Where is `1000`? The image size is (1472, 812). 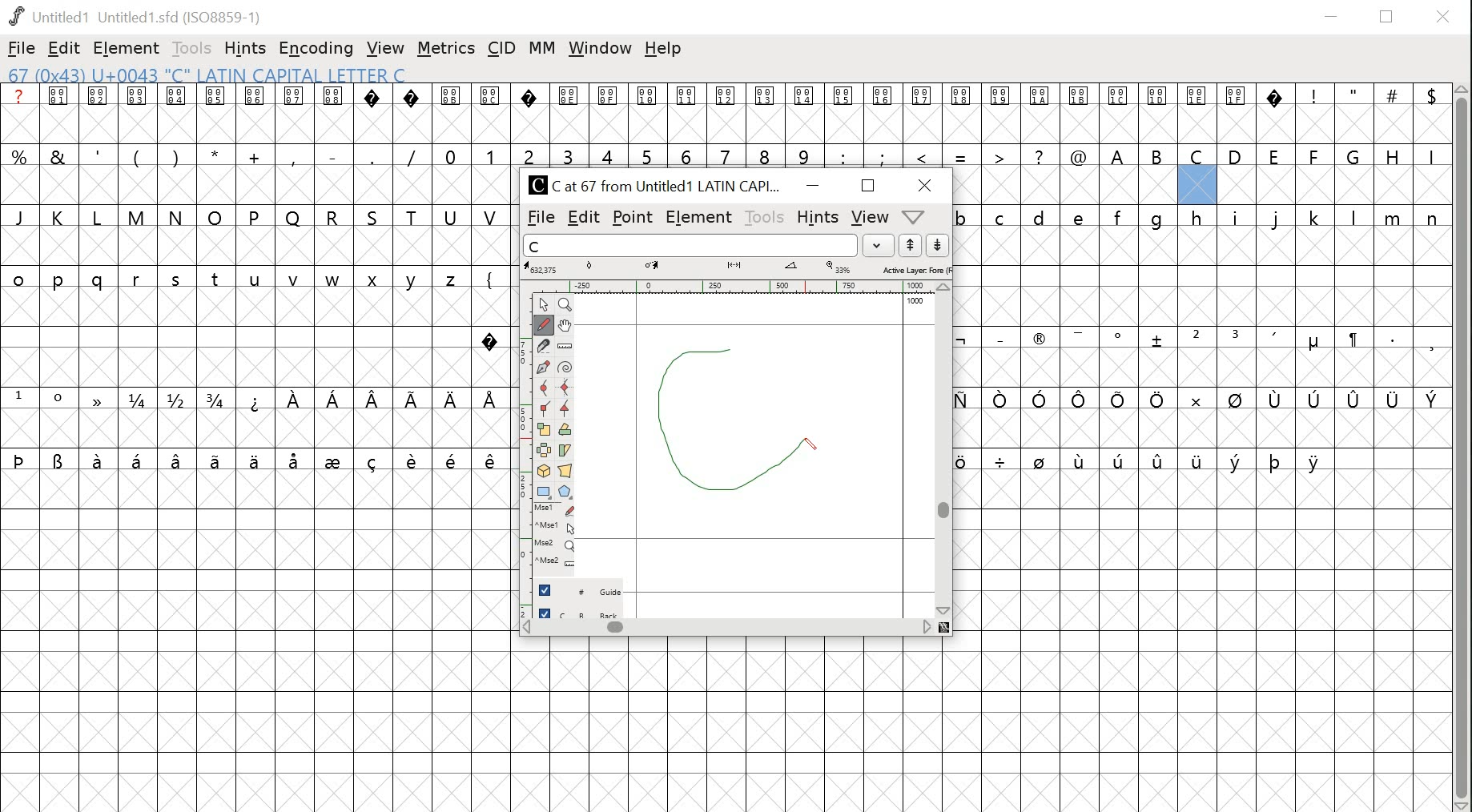
1000 is located at coordinates (915, 302).